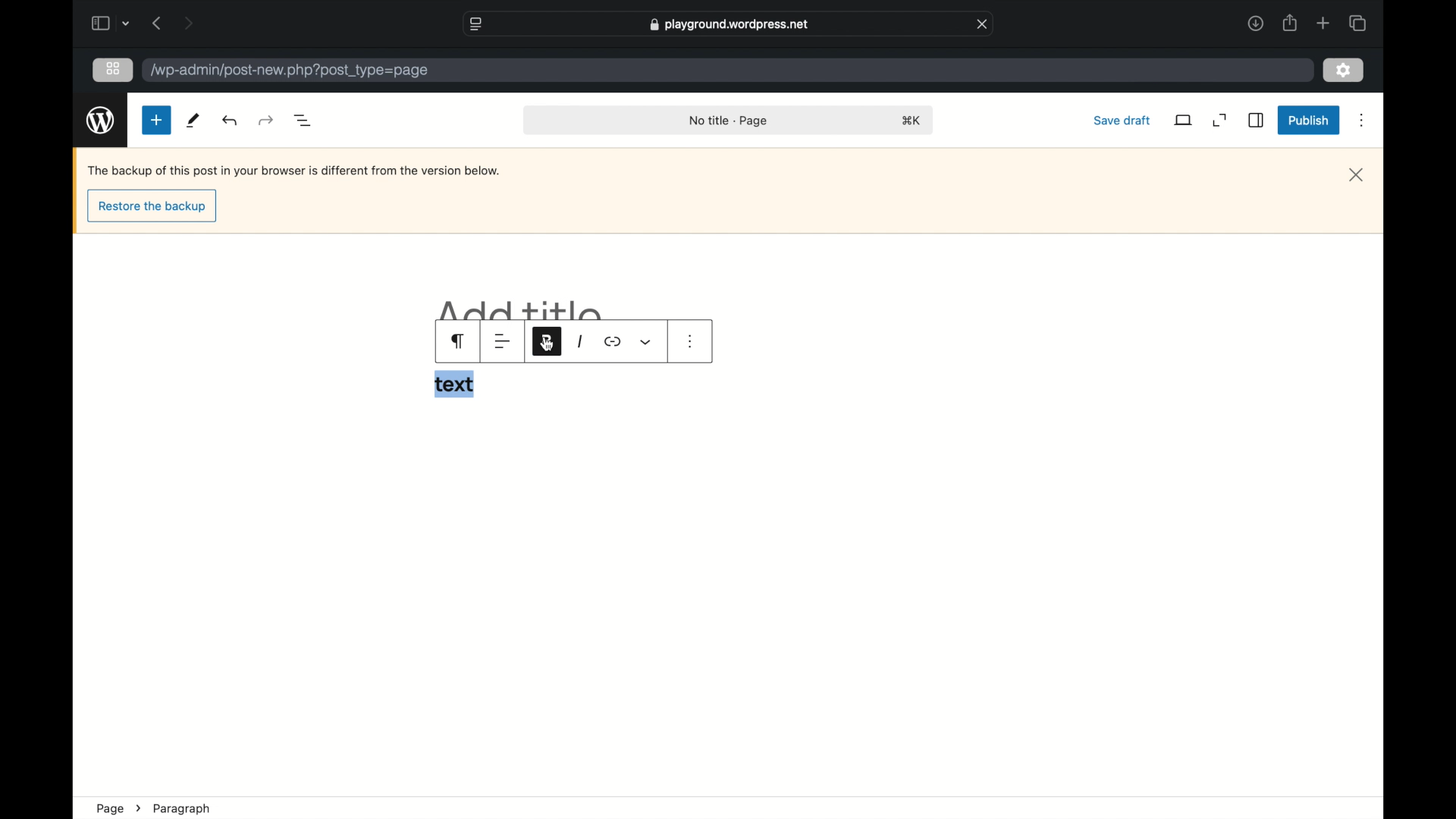  What do you see at coordinates (912, 121) in the screenshot?
I see `shortcut` at bounding box center [912, 121].